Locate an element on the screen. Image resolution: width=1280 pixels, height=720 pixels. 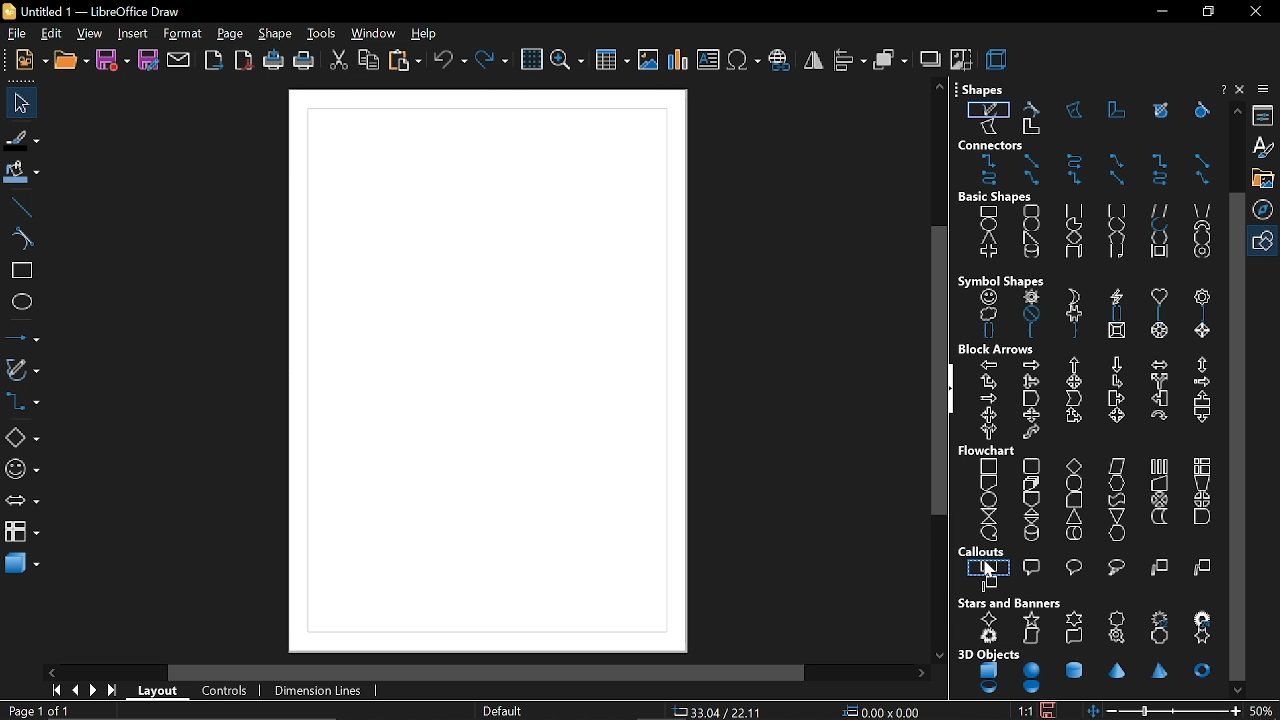
stored data is located at coordinates (1158, 517).